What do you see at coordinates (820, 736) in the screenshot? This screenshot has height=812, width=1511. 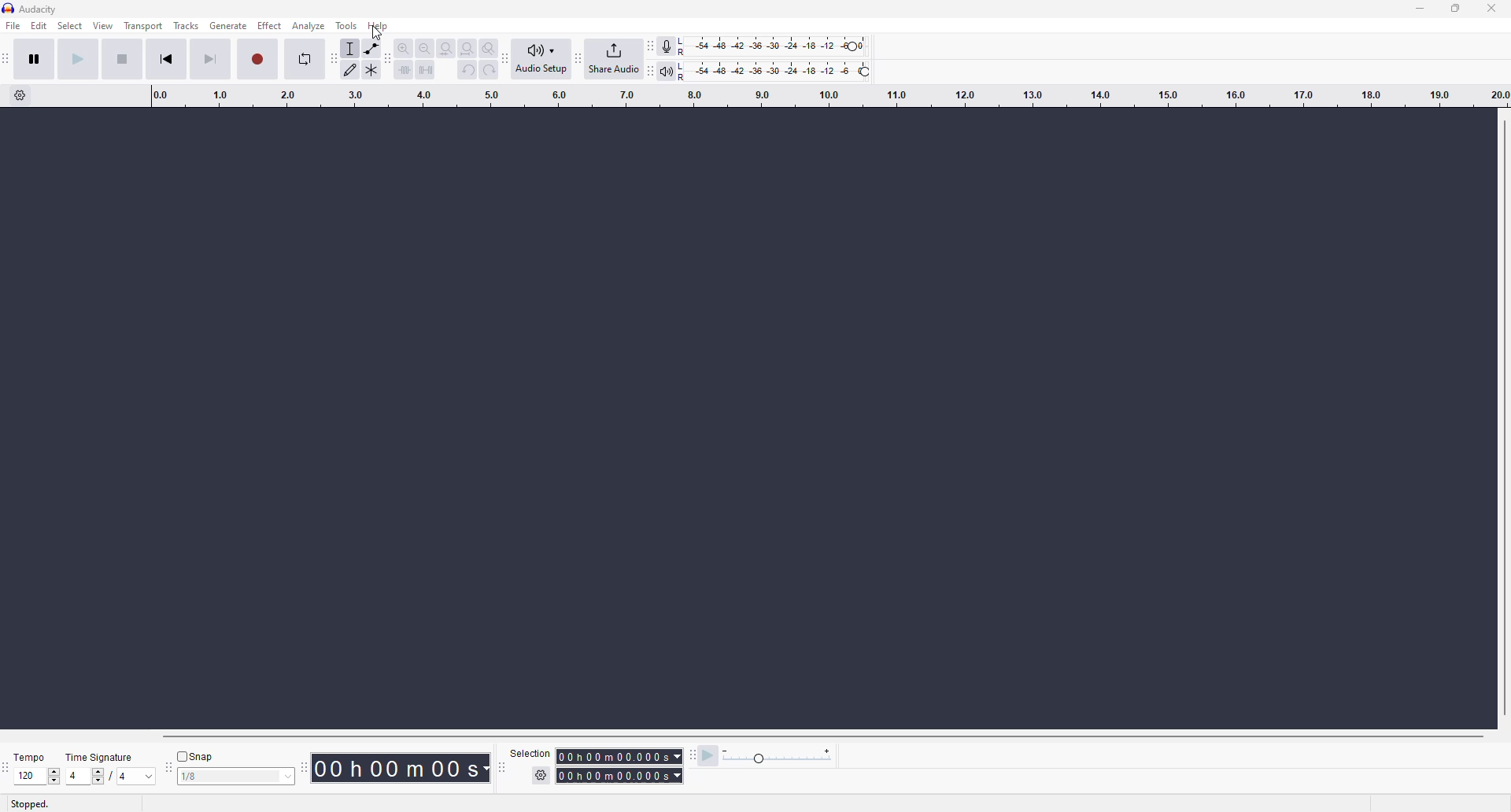 I see `horizontal scrollbar` at bounding box center [820, 736].